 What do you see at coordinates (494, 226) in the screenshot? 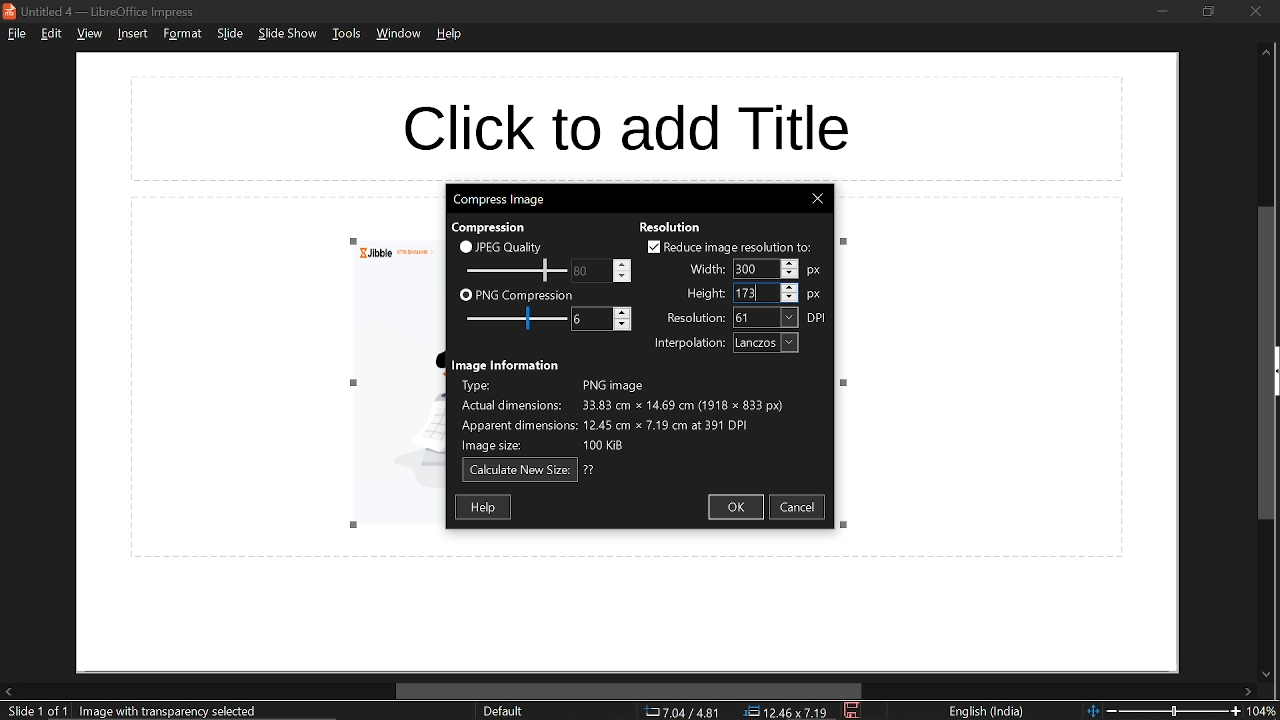
I see `text` at bounding box center [494, 226].